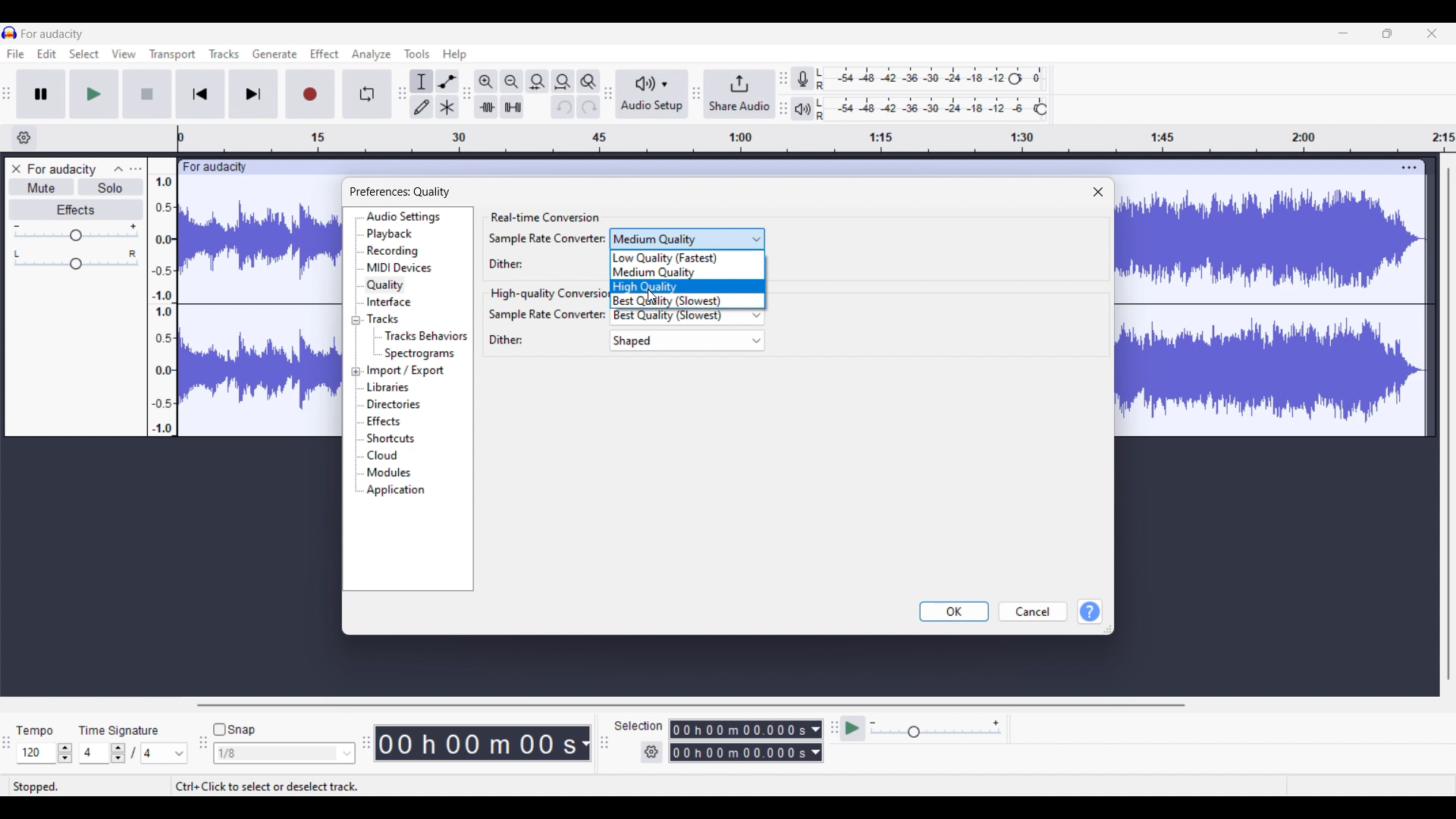  I want to click on Import/Export , so click(406, 372).